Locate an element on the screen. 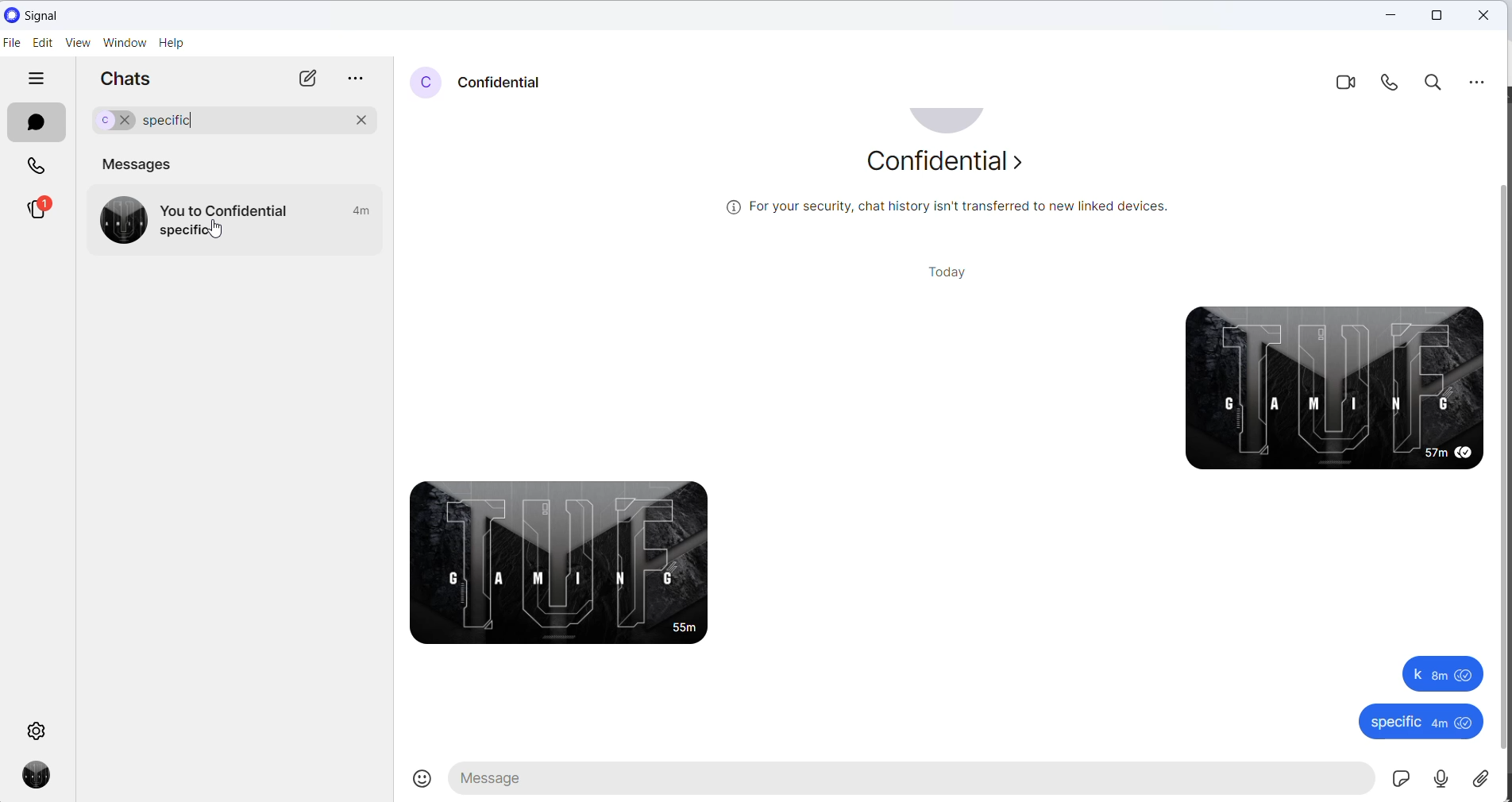  file is located at coordinates (12, 44).